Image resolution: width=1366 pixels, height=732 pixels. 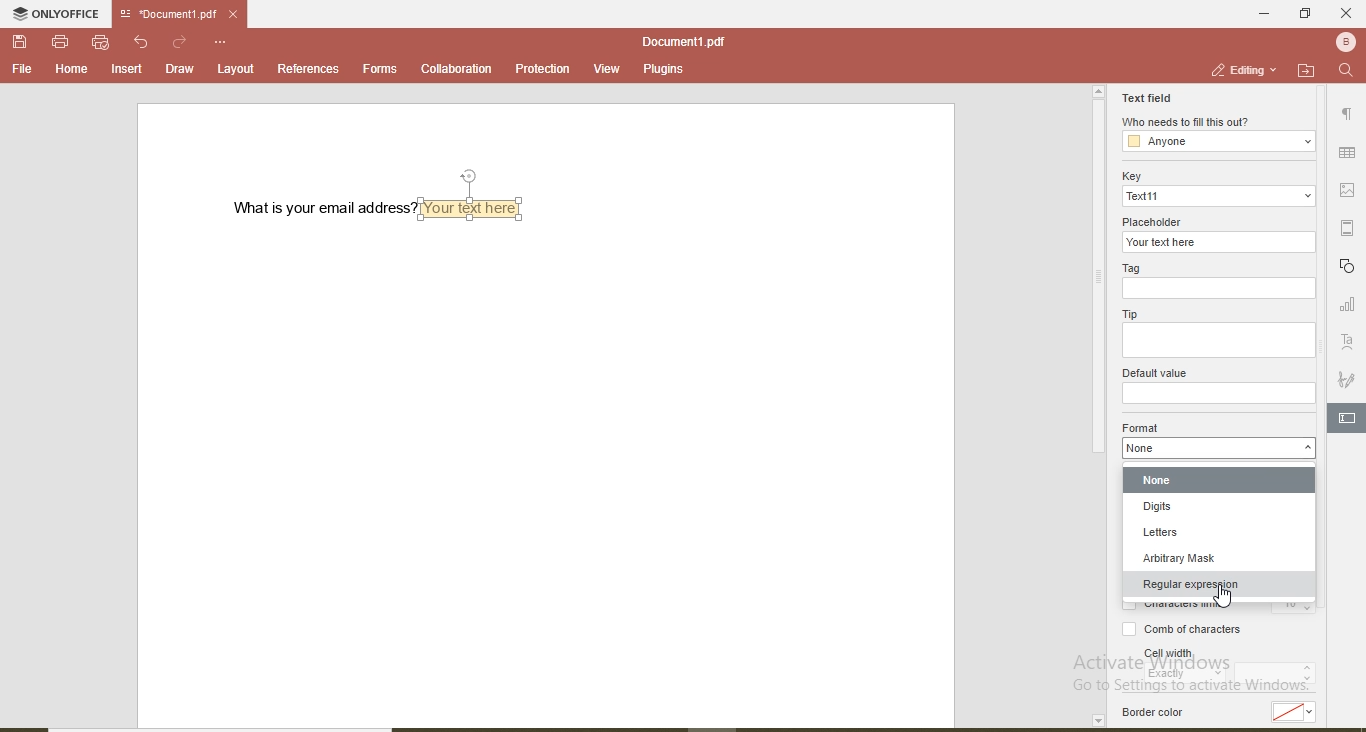 What do you see at coordinates (1185, 122) in the screenshot?
I see `who needs to fill this out?` at bounding box center [1185, 122].